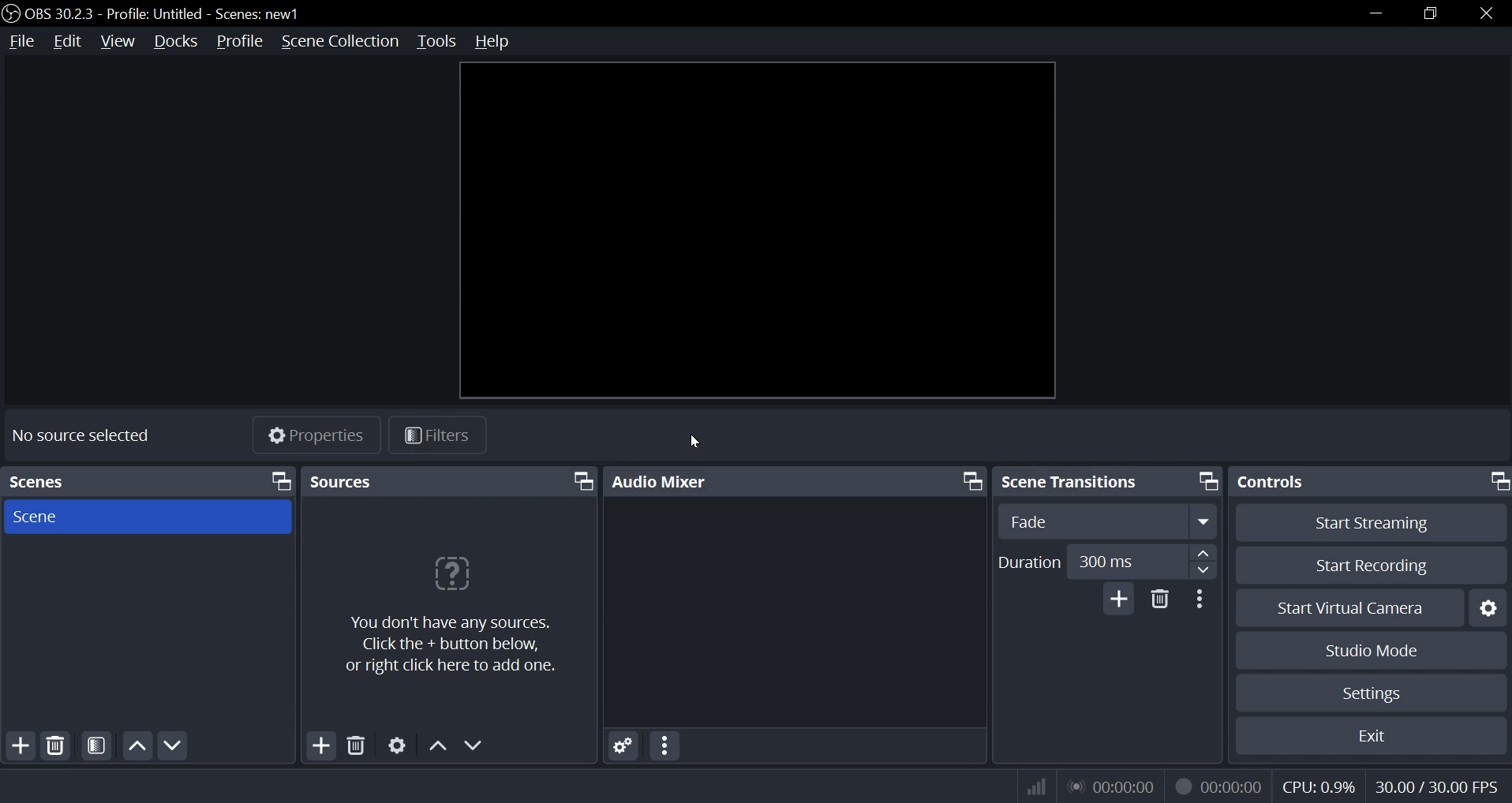 This screenshot has width=1512, height=803. I want to click on audio streamed, so click(1110, 786).